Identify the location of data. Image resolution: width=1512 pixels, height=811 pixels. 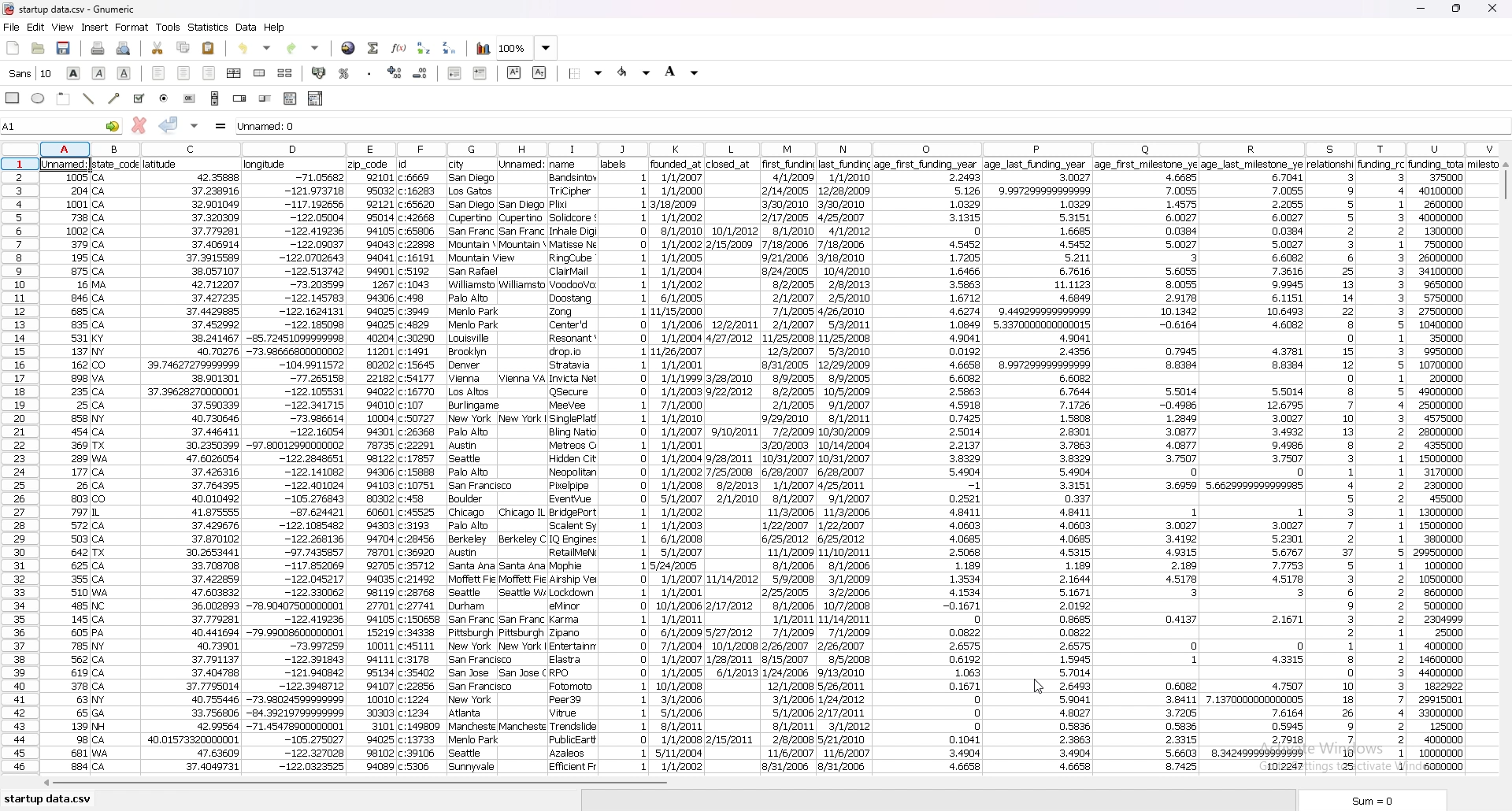
(626, 465).